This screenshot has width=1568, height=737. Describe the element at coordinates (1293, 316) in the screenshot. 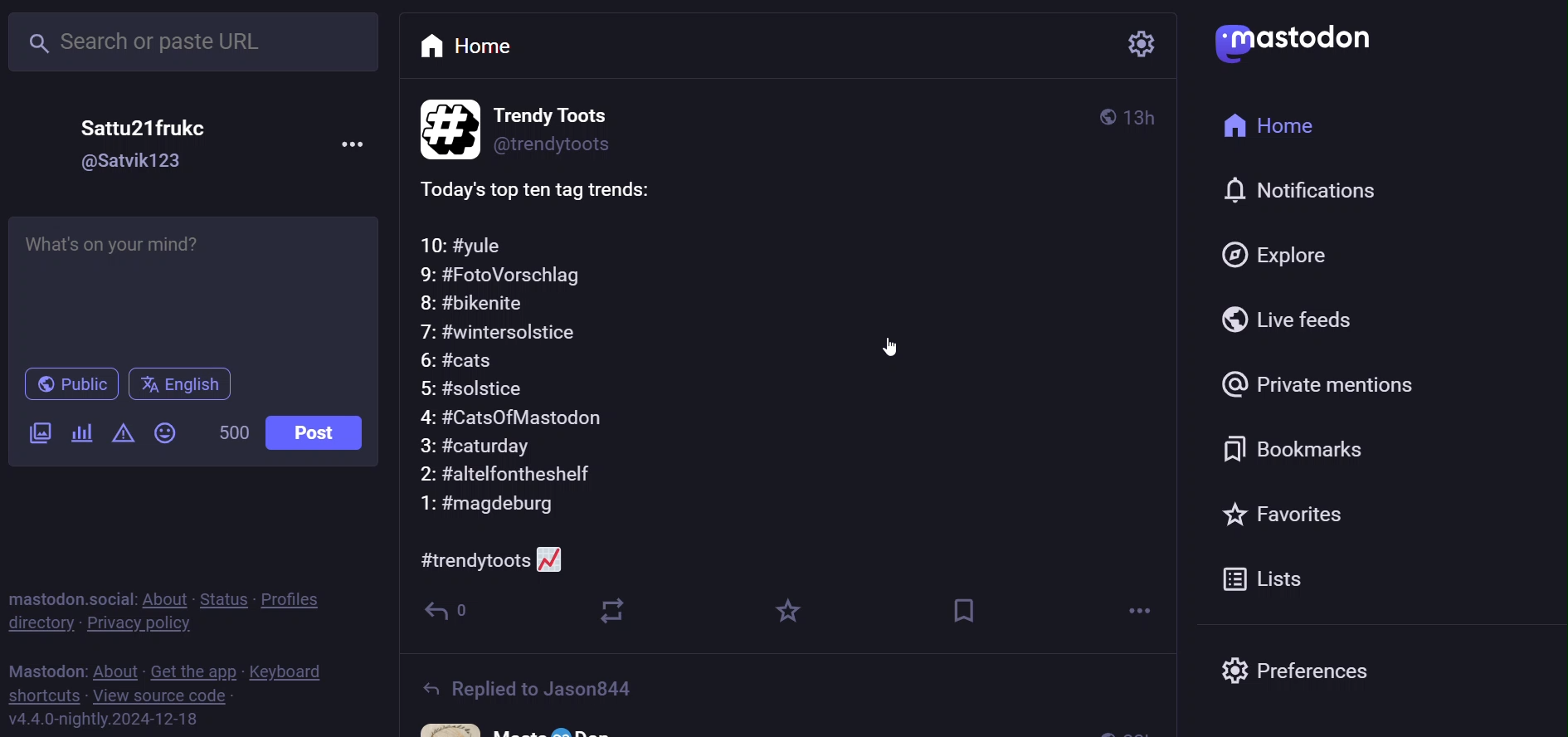

I see `live feed` at that location.